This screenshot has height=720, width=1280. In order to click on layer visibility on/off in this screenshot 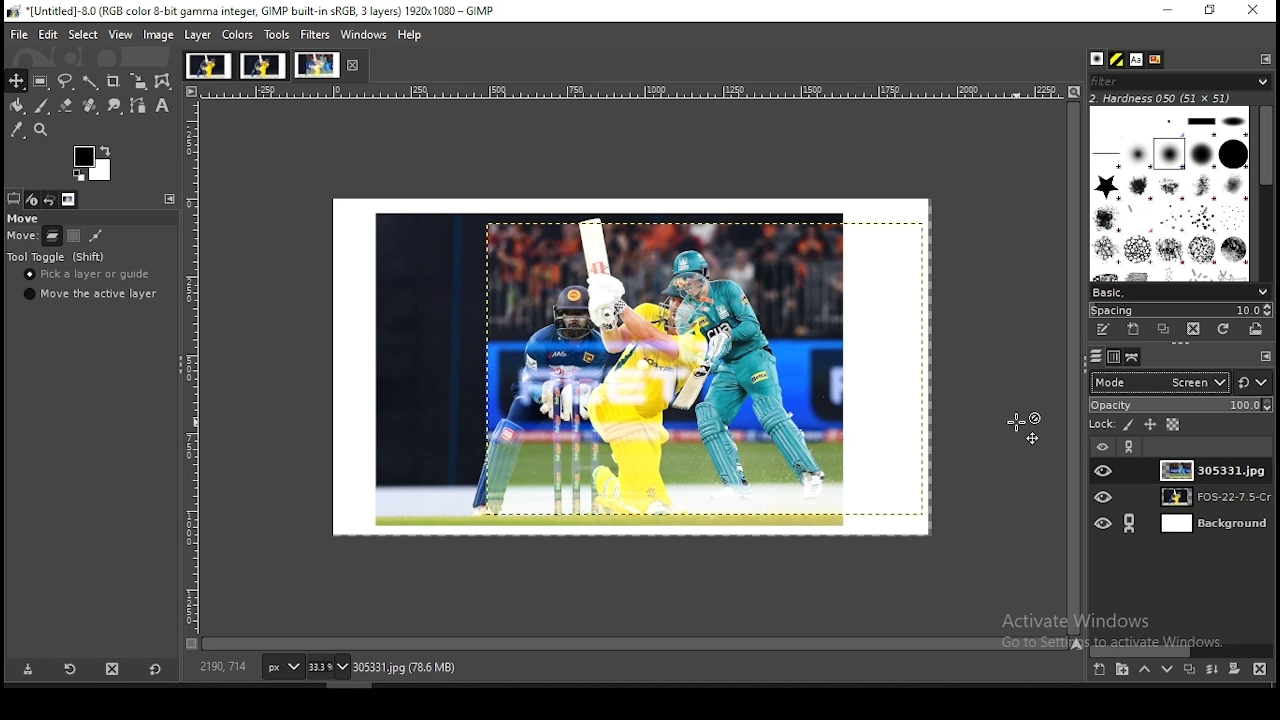, I will do `click(1105, 499)`.